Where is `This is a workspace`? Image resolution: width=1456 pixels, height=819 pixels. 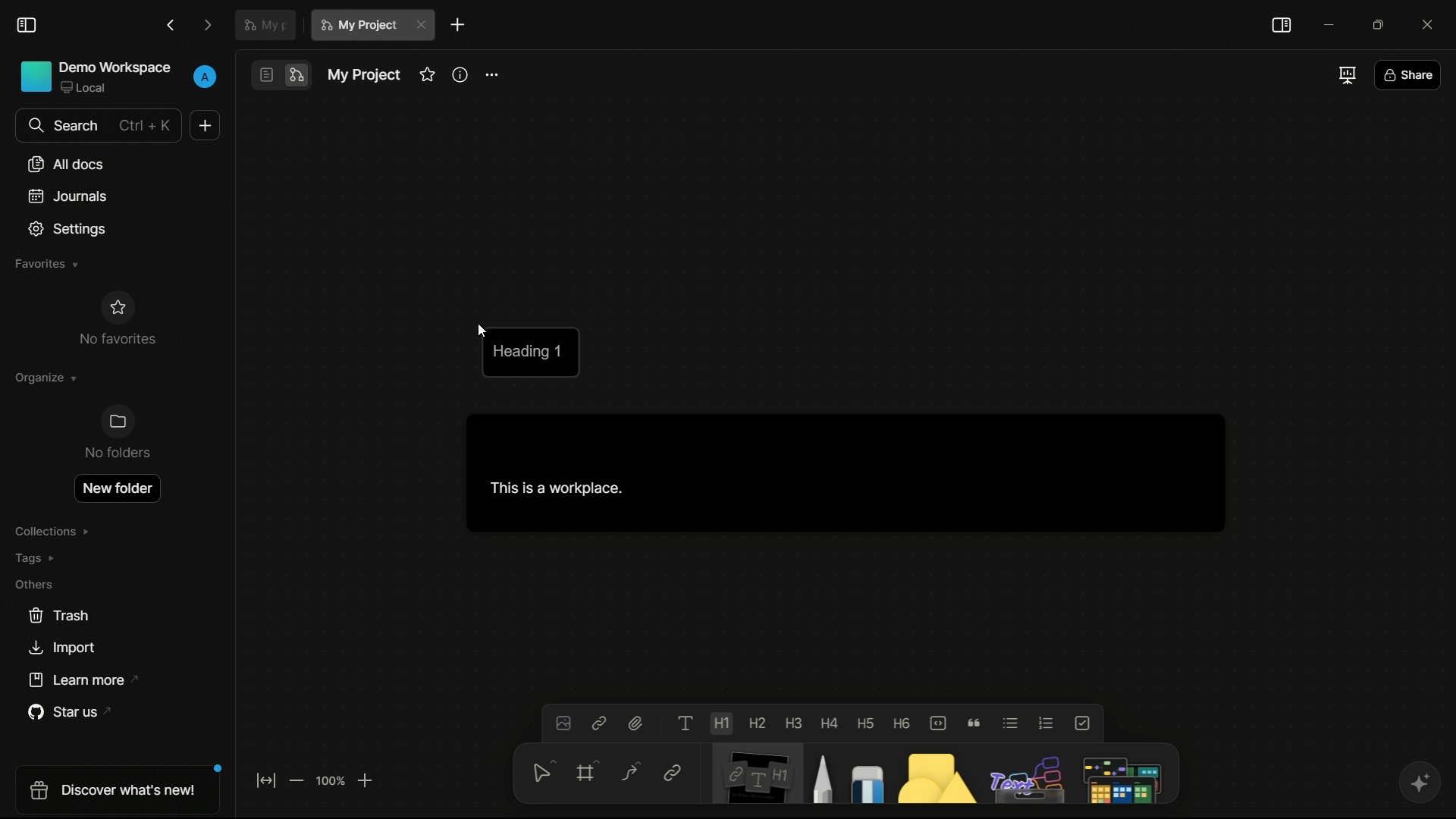 This is a workspace is located at coordinates (841, 473).